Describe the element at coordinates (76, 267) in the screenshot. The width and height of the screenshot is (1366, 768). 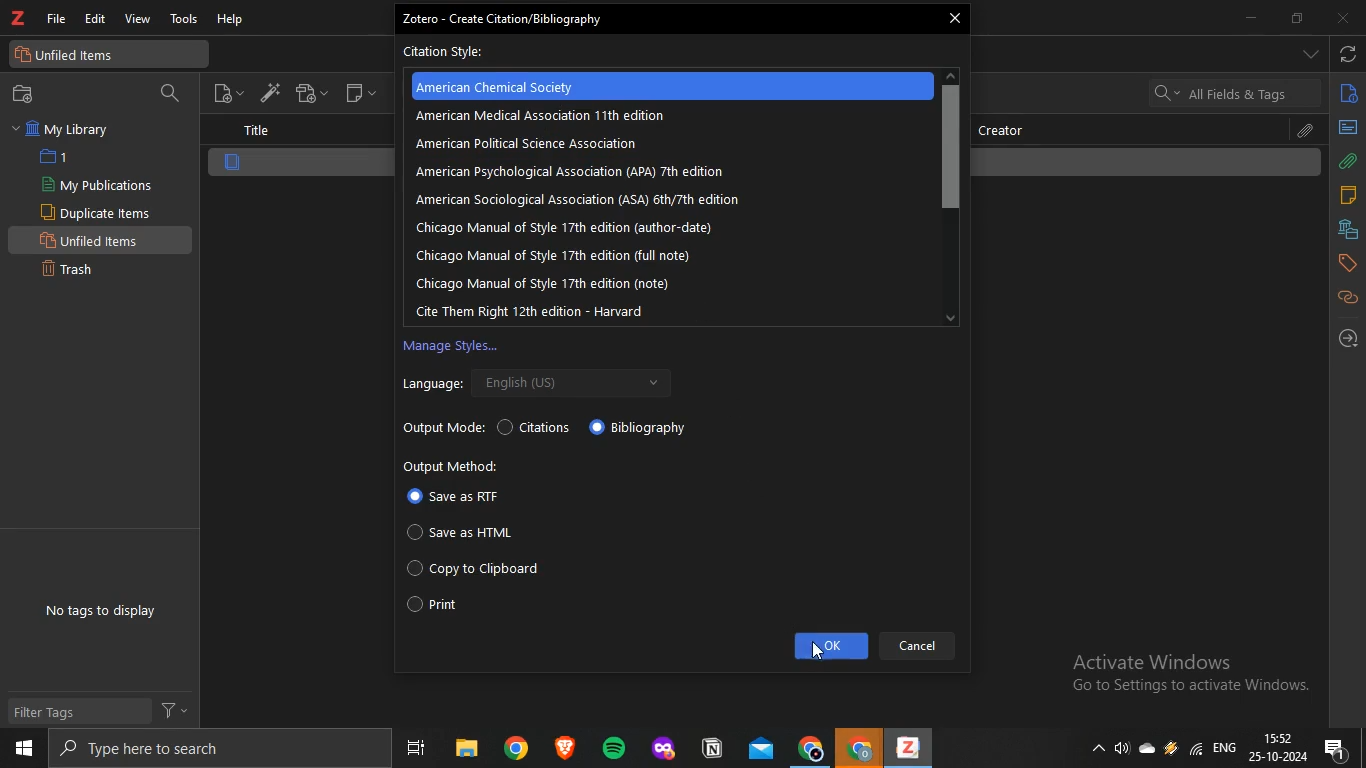
I see `Trash` at that location.